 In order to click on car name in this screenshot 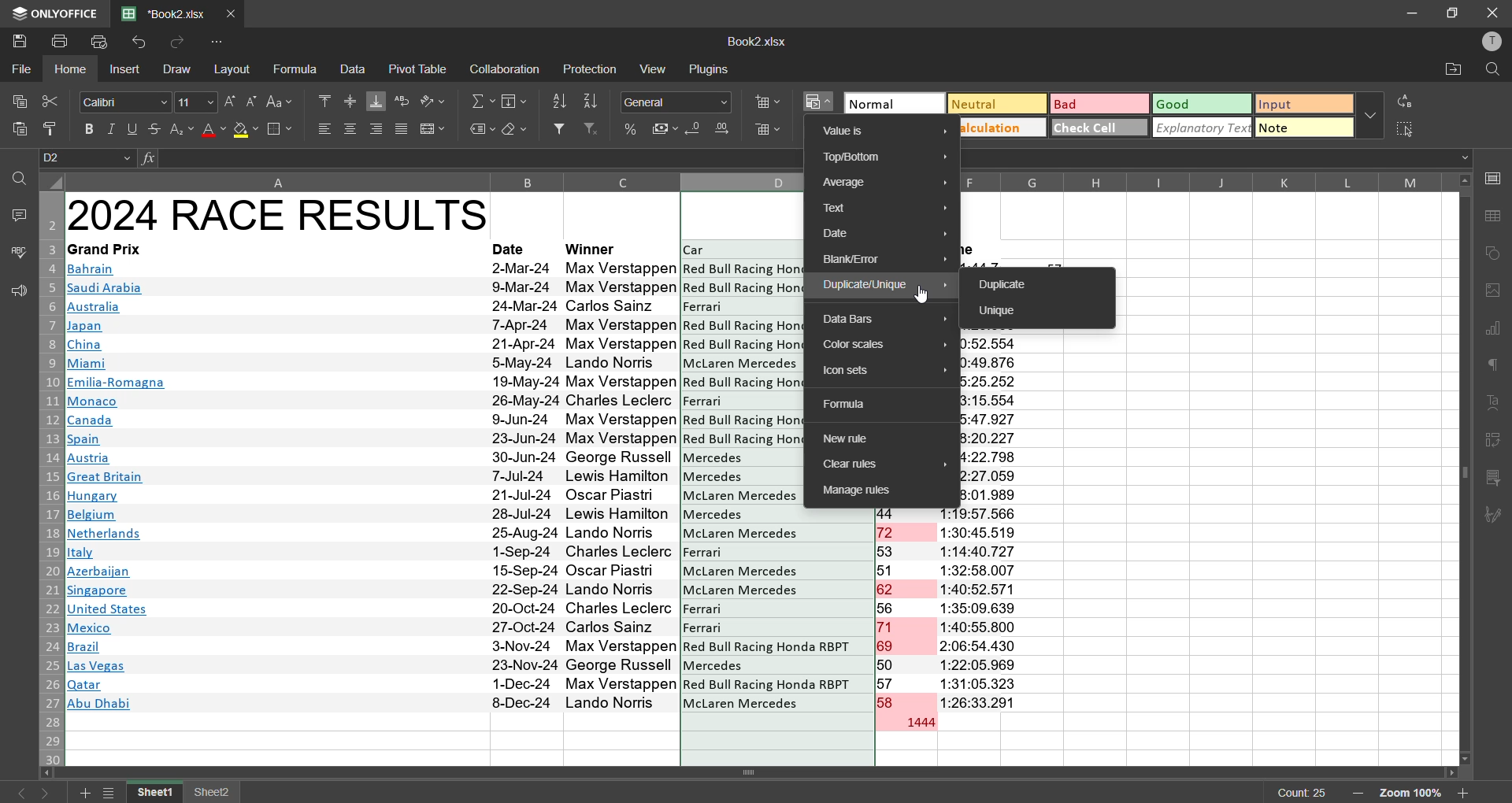, I will do `click(703, 401)`.